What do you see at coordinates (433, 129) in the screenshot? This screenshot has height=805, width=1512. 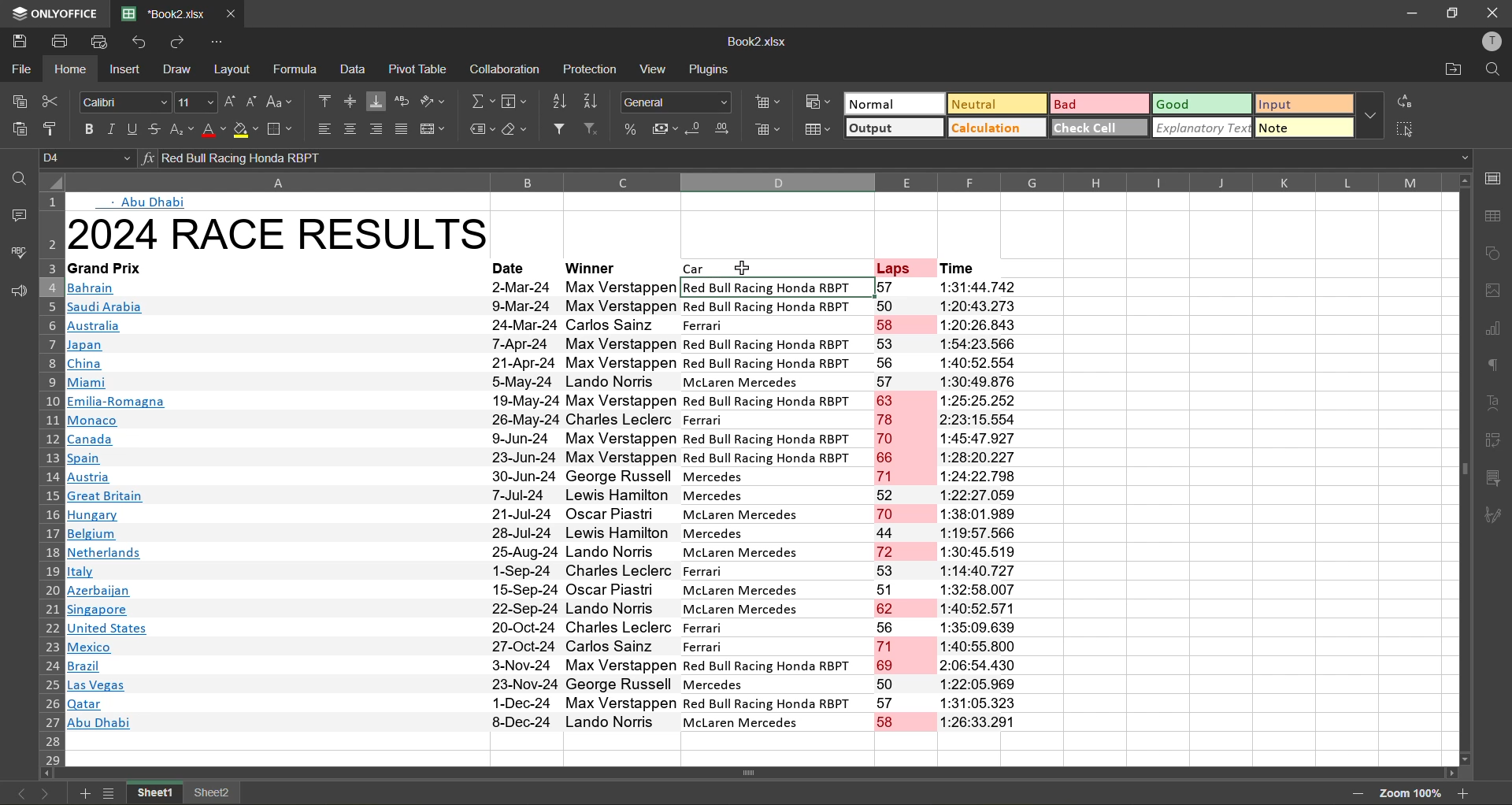 I see `merge and center` at bounding box center [433, 129].